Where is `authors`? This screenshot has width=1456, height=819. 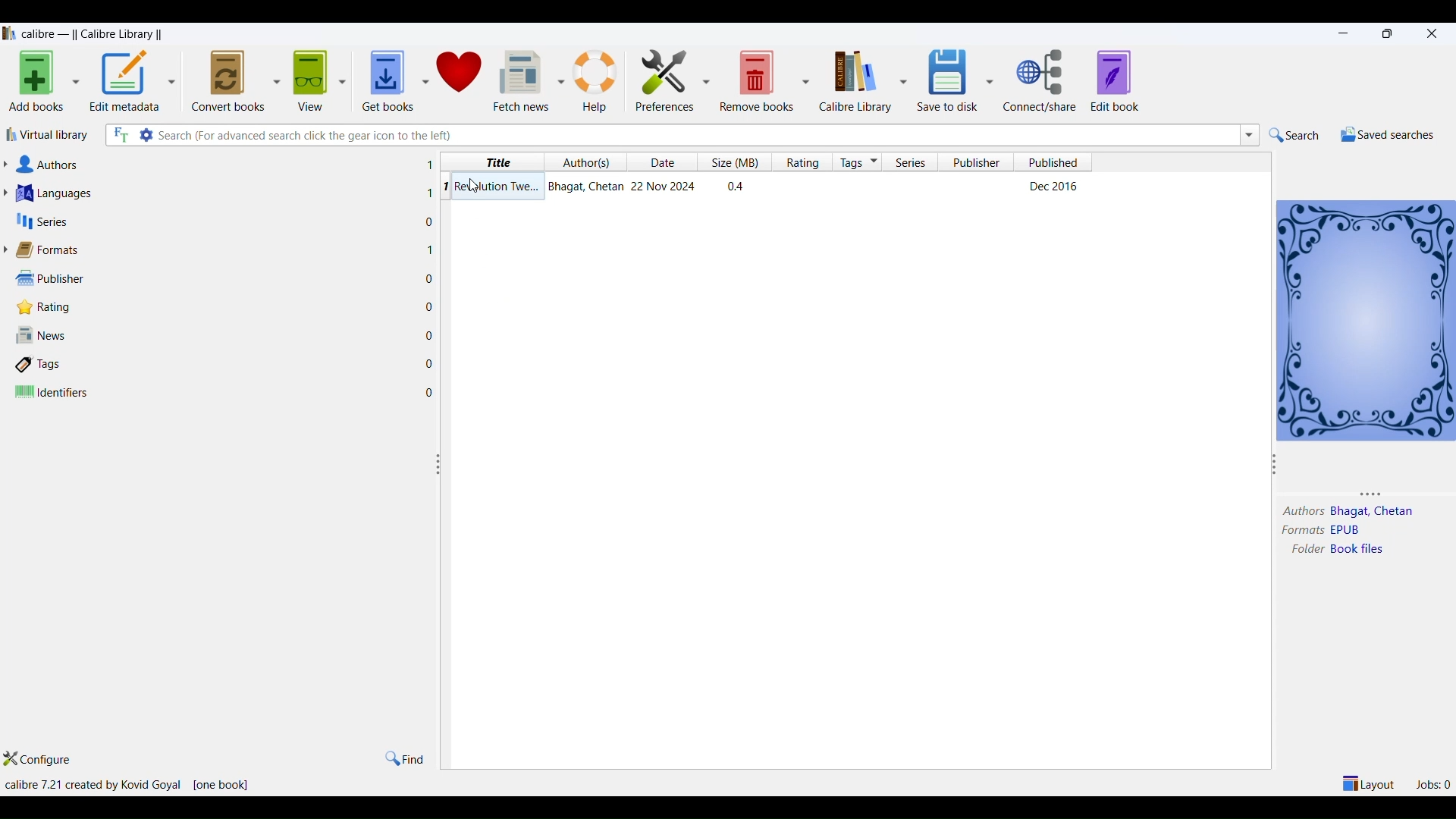 authors is located at coordinates (52, 165).